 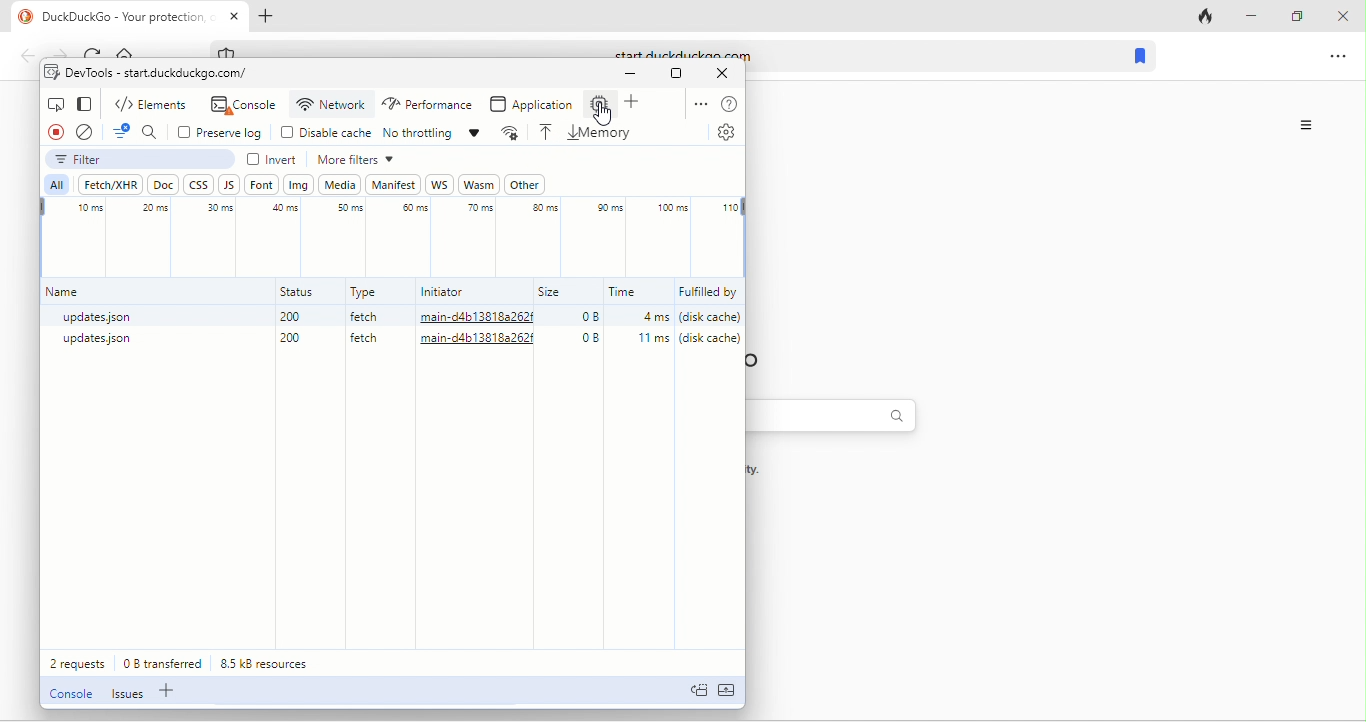 I want to click on search, so click(x=156, y=134).